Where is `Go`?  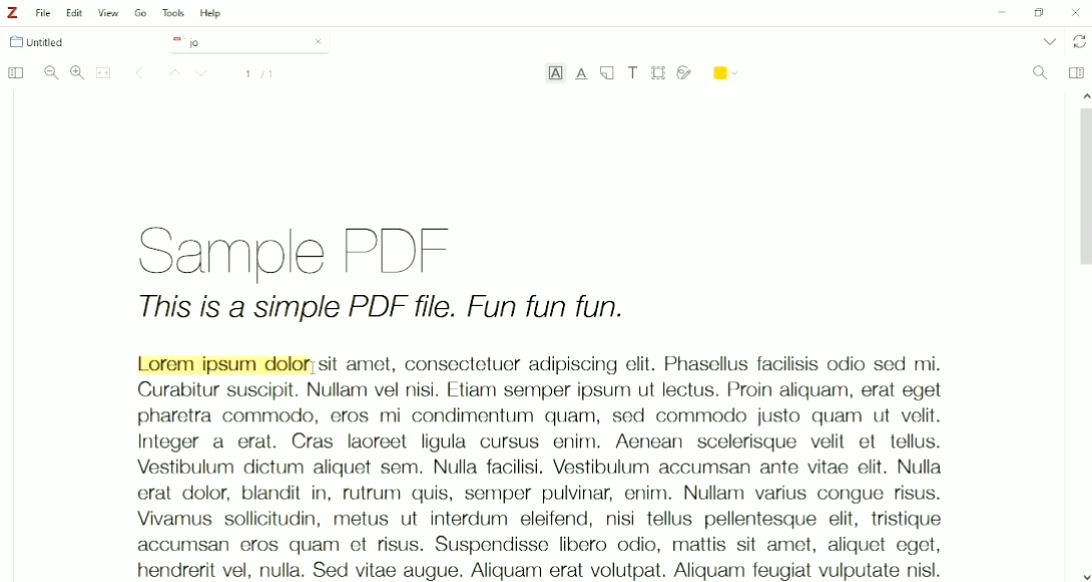
Go is located at coordinates (141, 12).